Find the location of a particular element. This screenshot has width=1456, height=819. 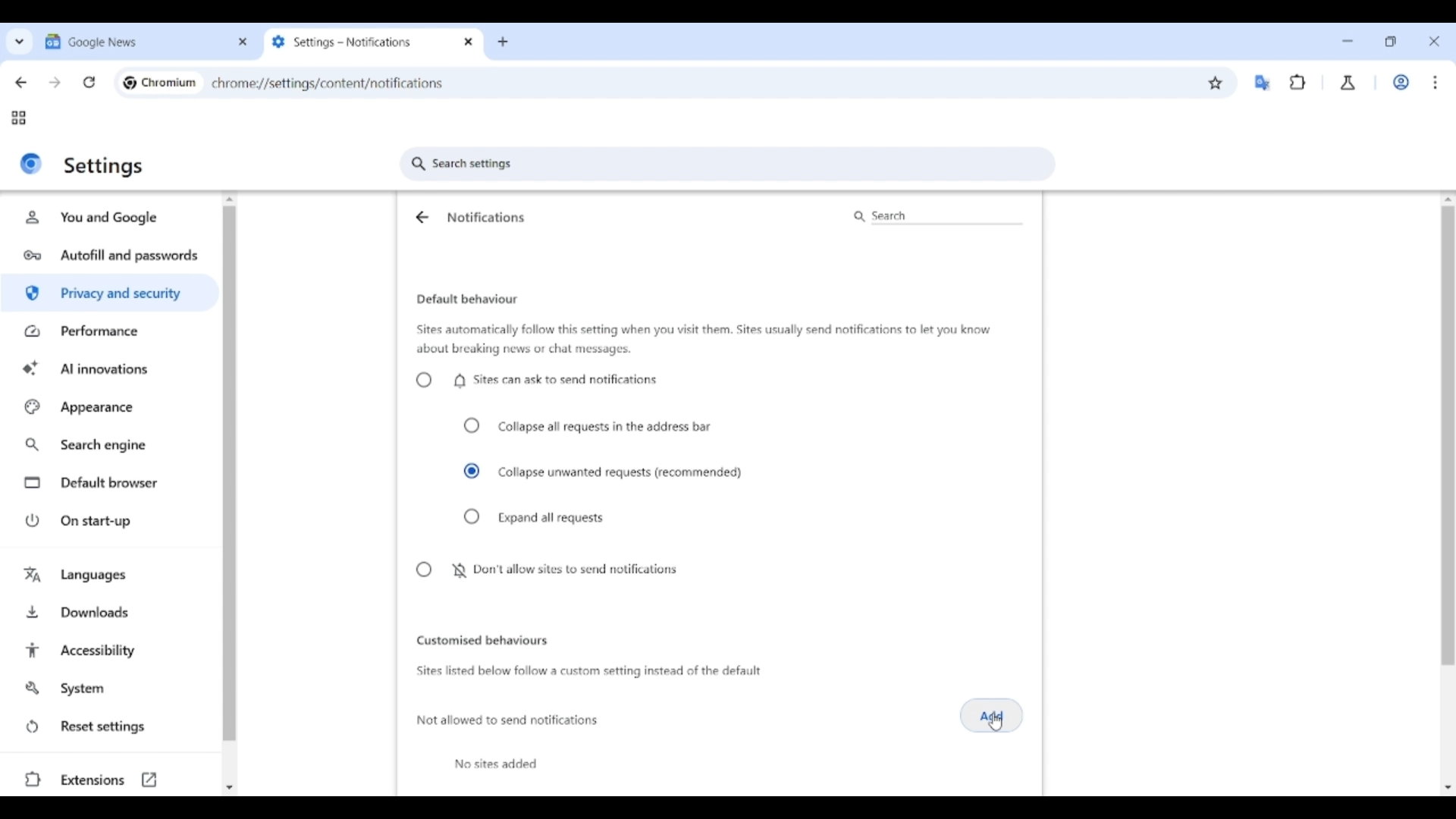

Close tab 1 is located at coordinates (243, 42).